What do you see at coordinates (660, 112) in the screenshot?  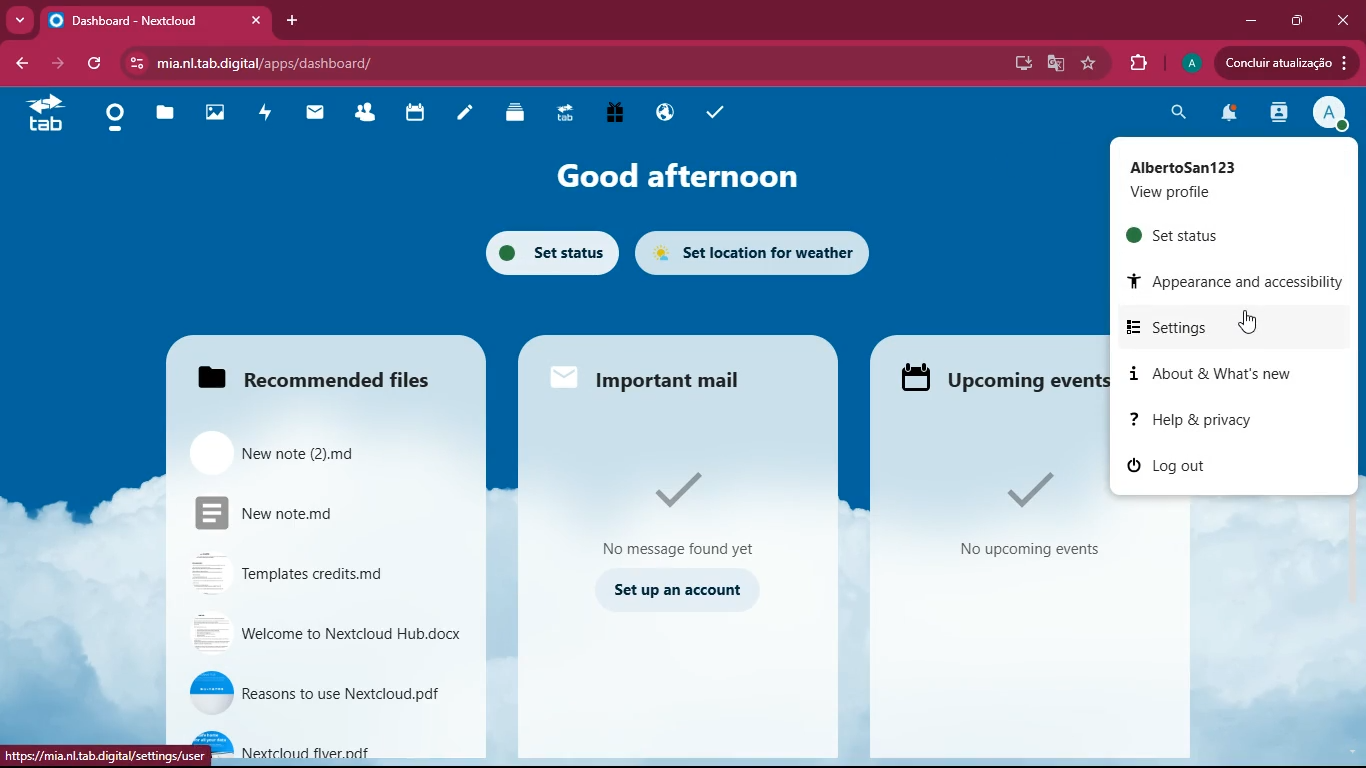 I see `public` at bounding box center [660, 112].